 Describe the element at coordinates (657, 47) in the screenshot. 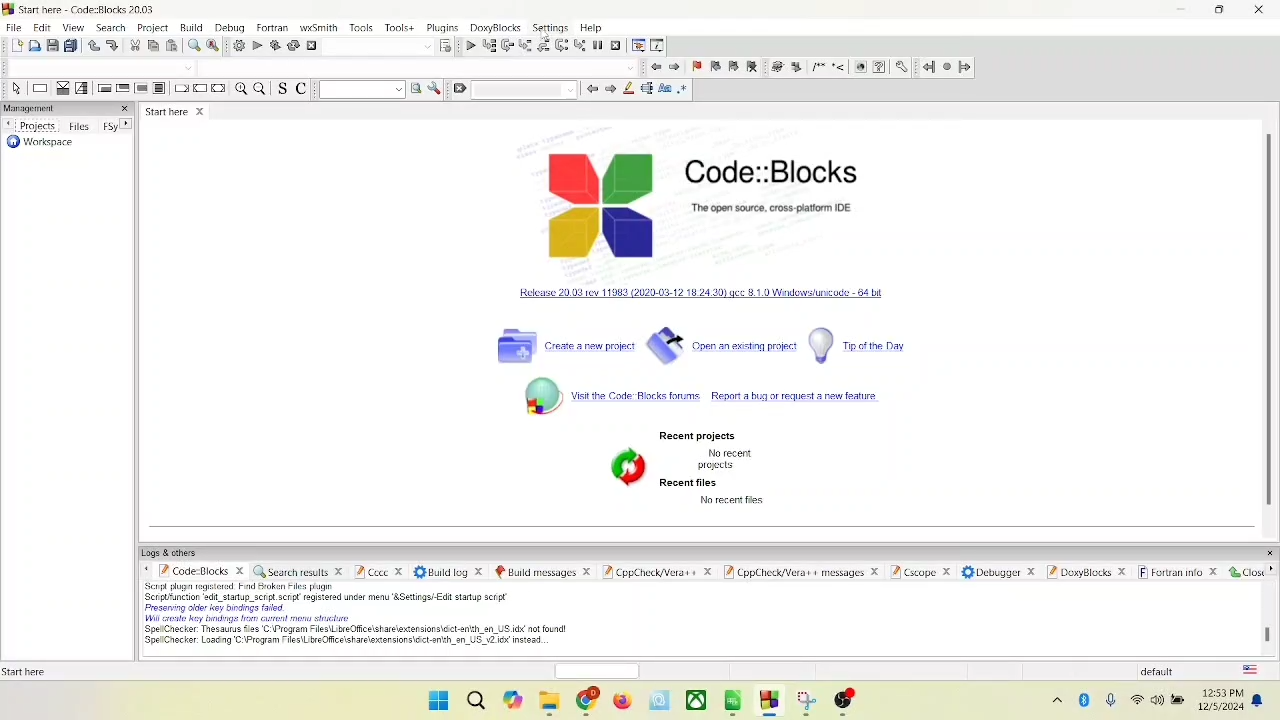

I see `various info` at that location.